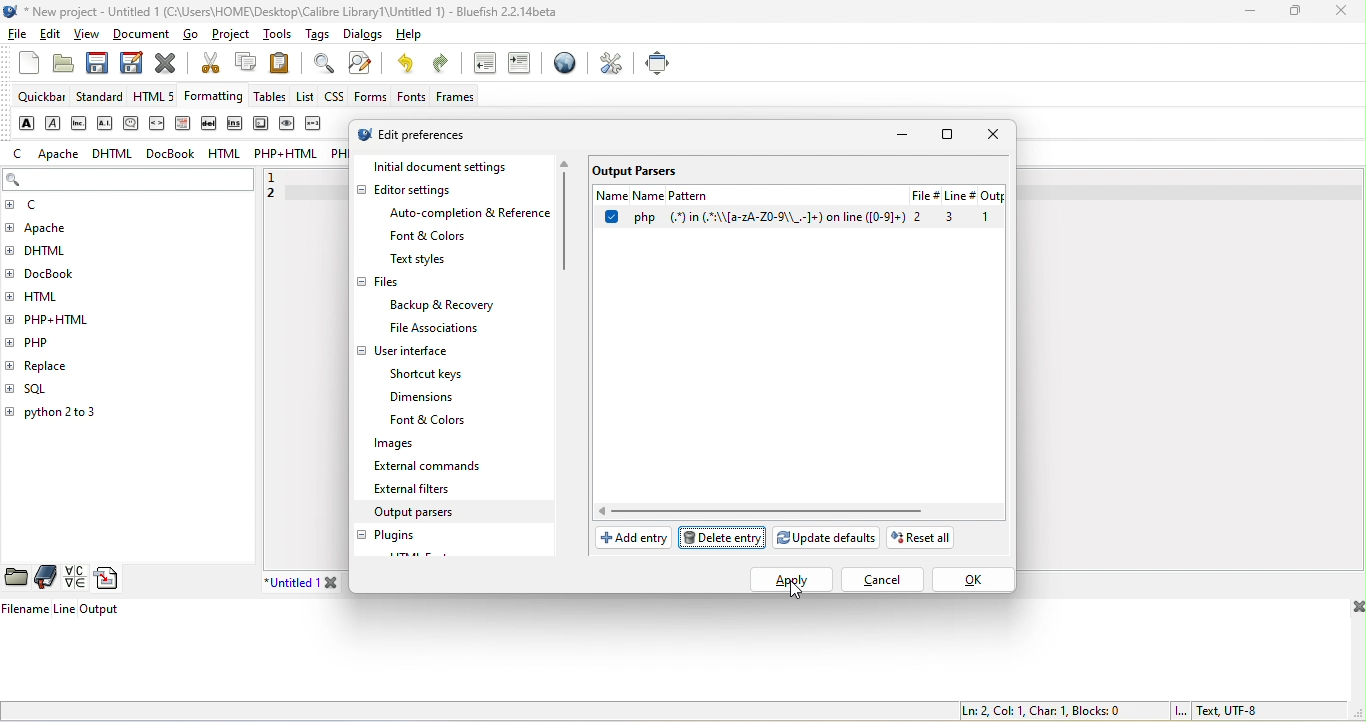 The image size is (1366, 722). What do you see at coordinates (53, 123) in the screenshot?
I see `emphasis` at bounding box center [53, 123].